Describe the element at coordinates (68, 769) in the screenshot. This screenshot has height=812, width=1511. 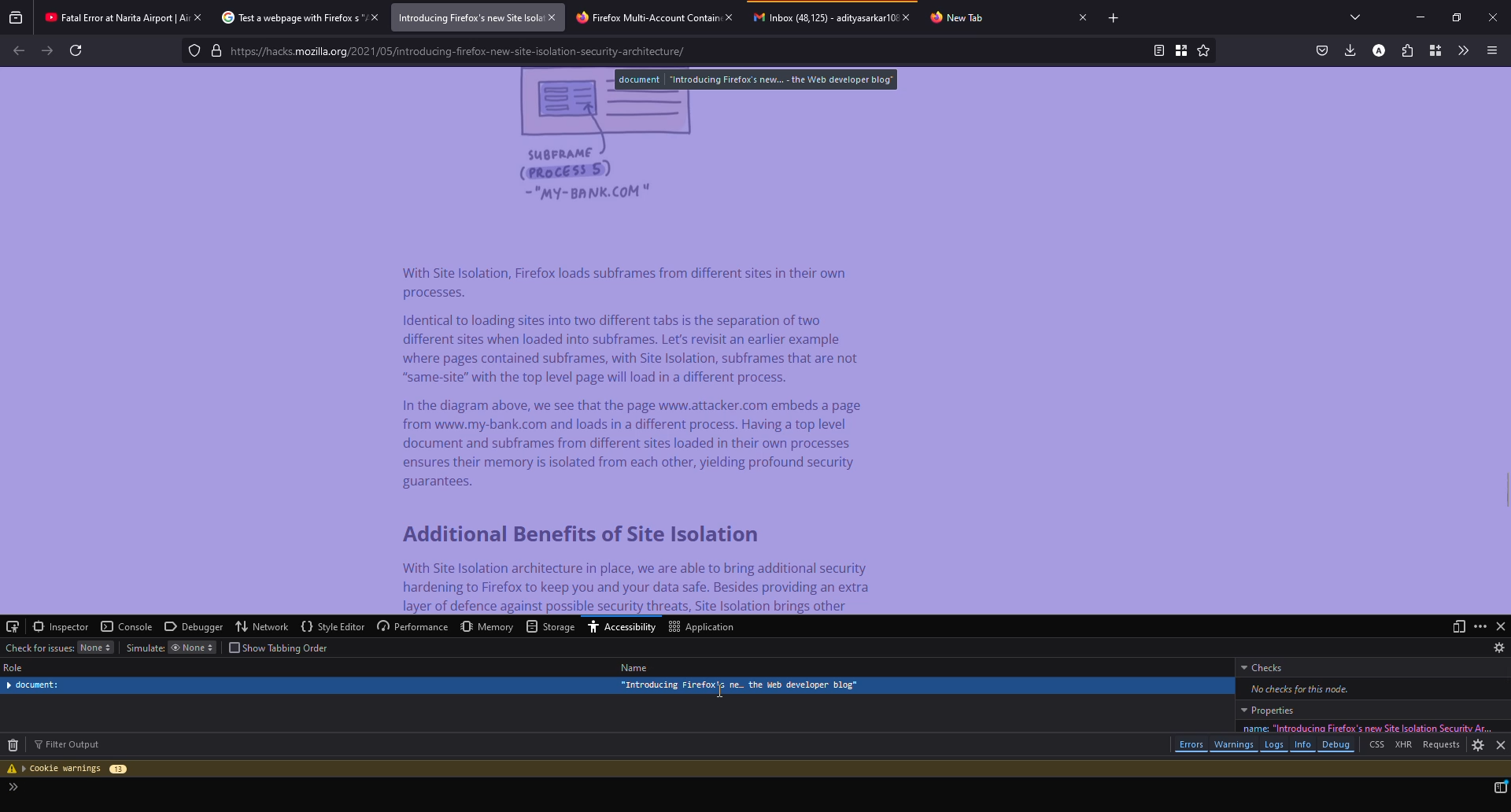
I see `cookie warning` at that location.